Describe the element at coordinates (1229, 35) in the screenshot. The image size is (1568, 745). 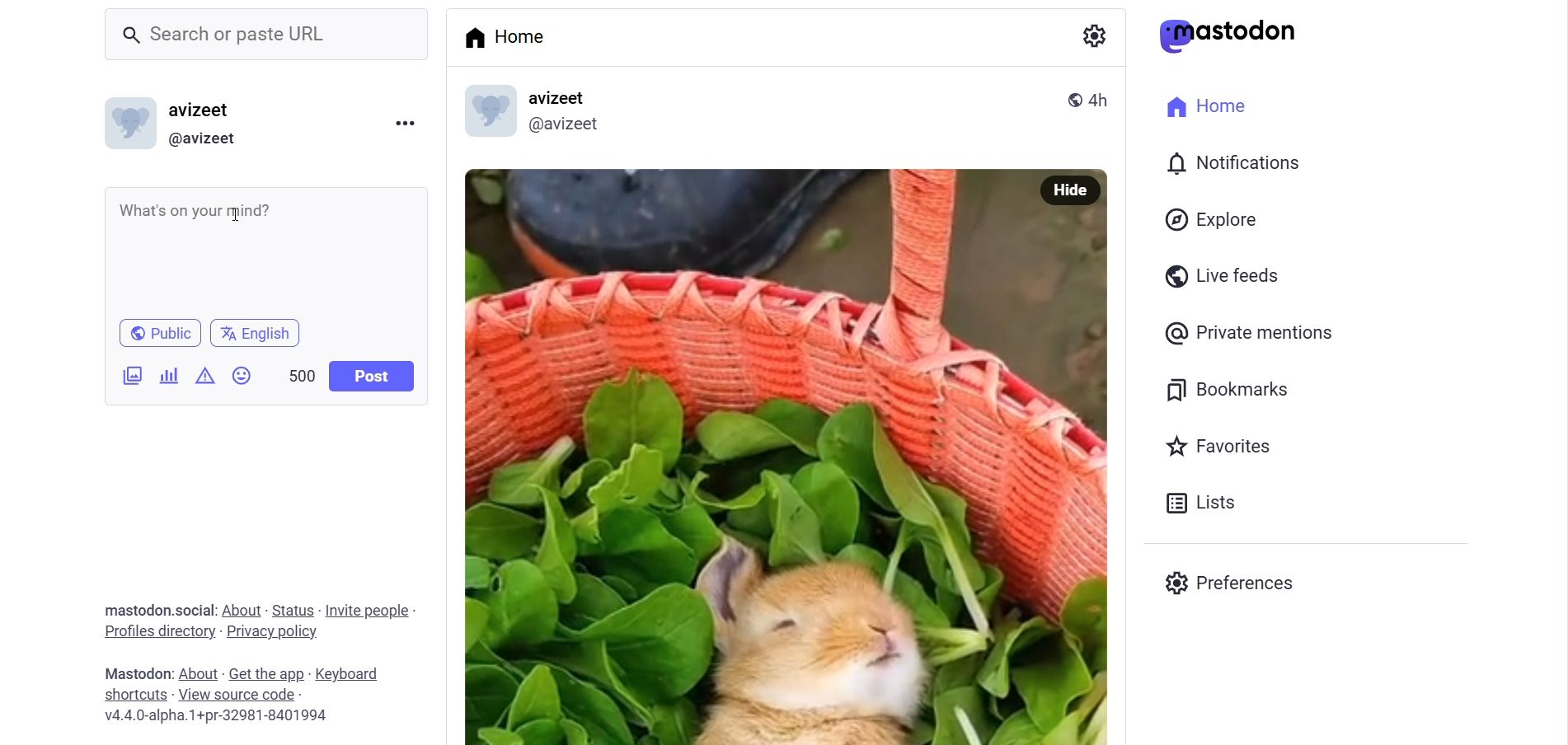
I see `mastodon` at that location.